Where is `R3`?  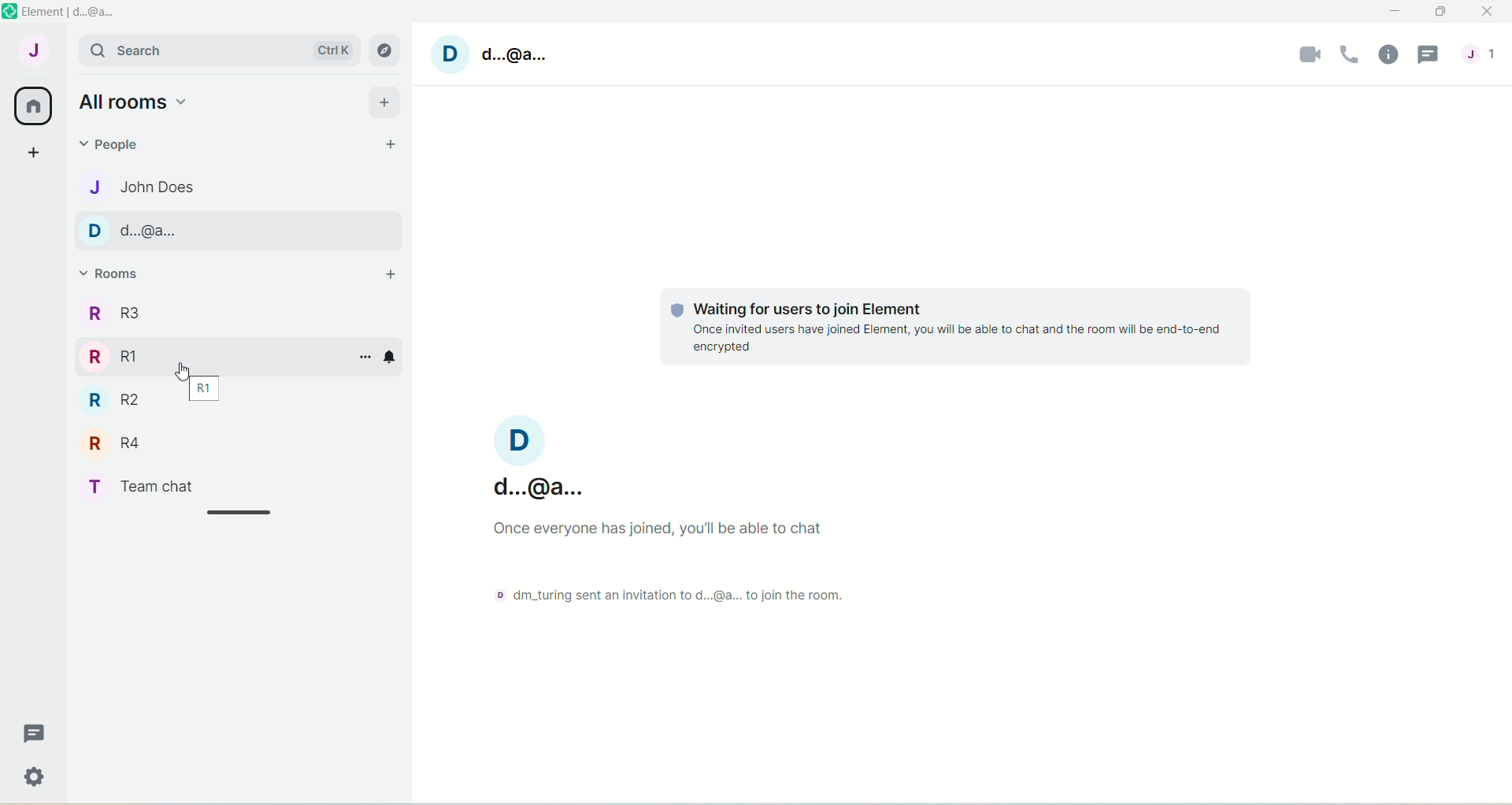 R3 is located at coordinates (119, 317).